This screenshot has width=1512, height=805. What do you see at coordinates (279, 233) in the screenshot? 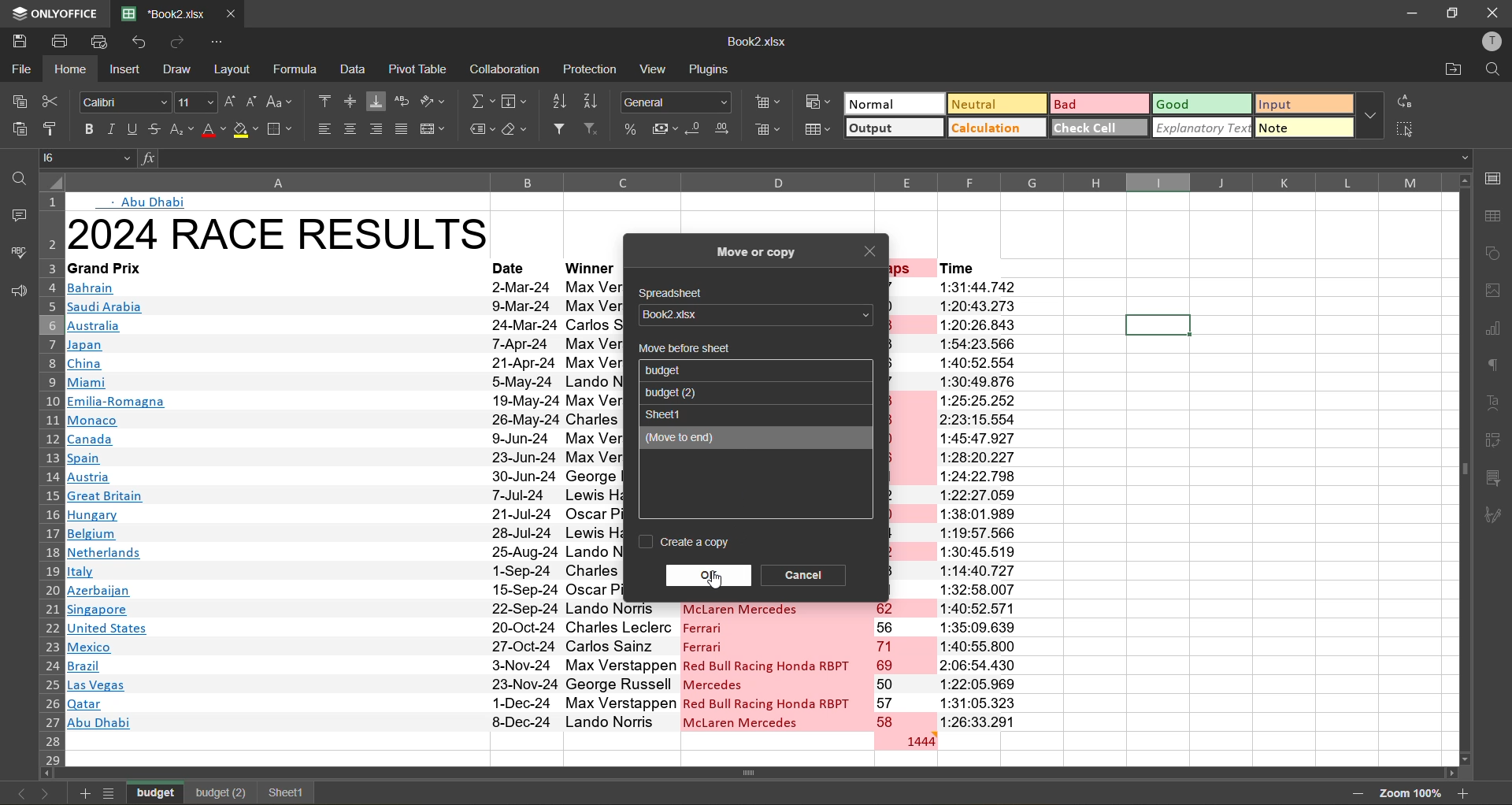
I see `title` at bounding box center [279, 233].